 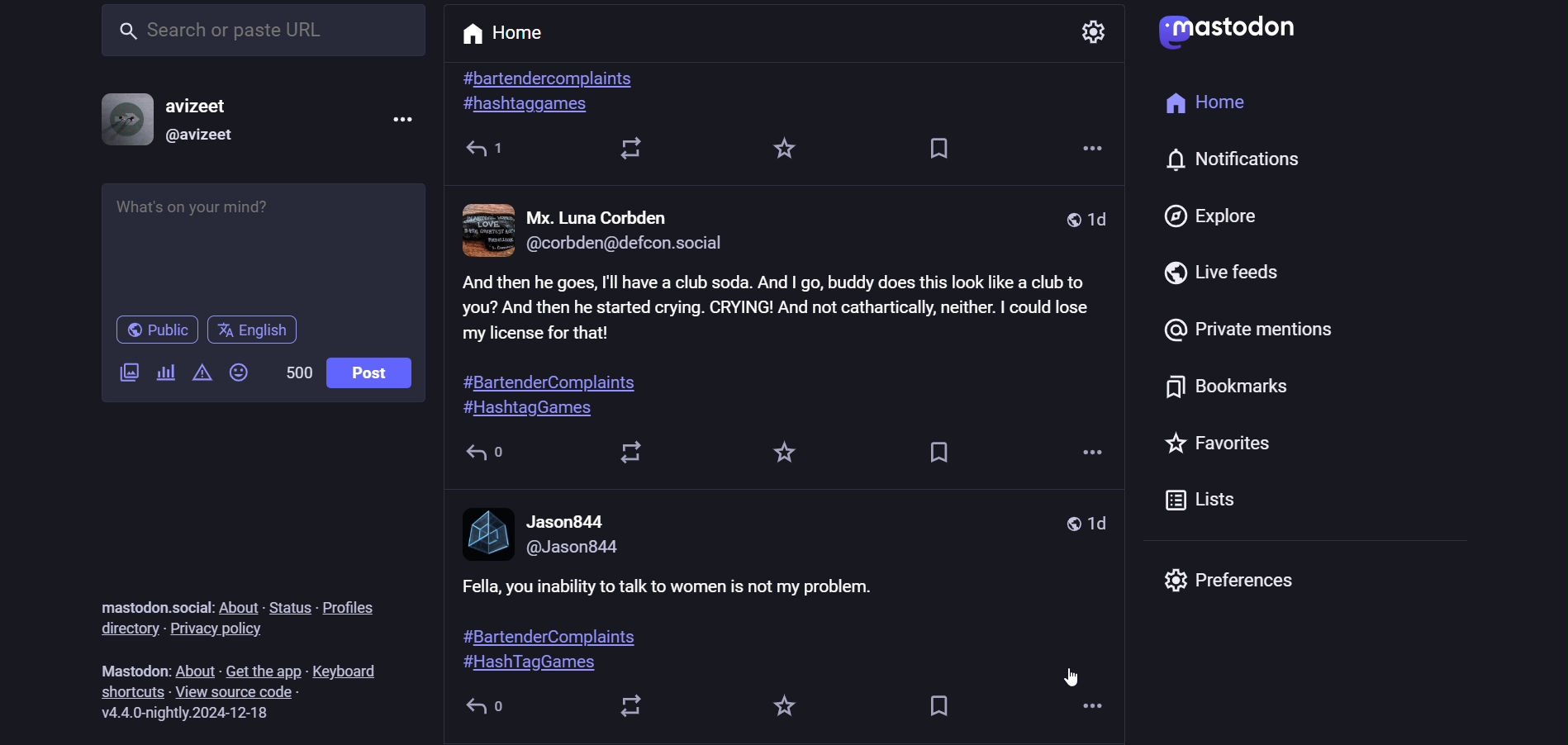 What do you see at coordinates (128, 667) in the screenshot?
I see `mastodon` at bounding box center [128, 667].